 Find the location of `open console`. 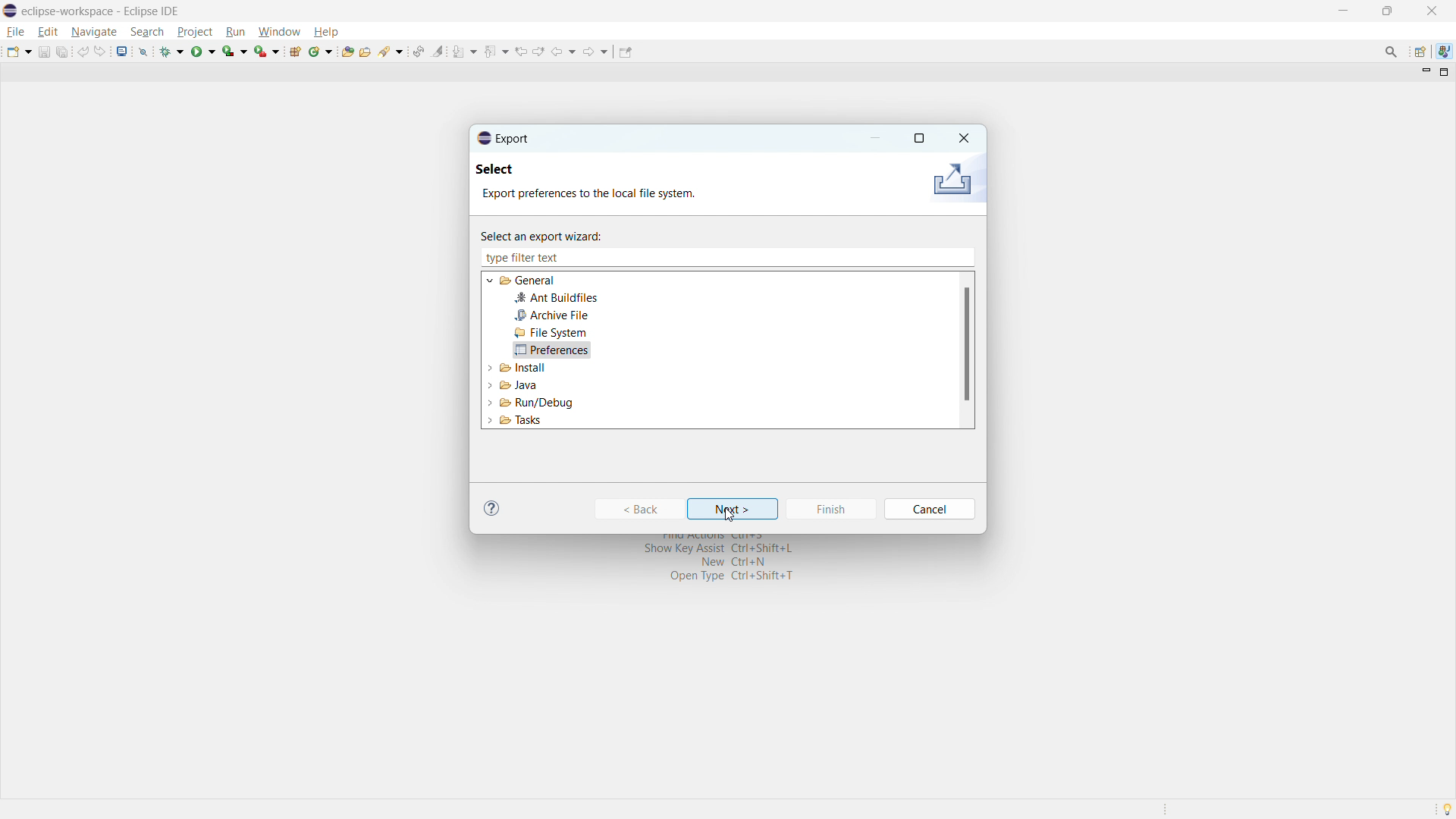

open console is located at coordinates (122, 51).